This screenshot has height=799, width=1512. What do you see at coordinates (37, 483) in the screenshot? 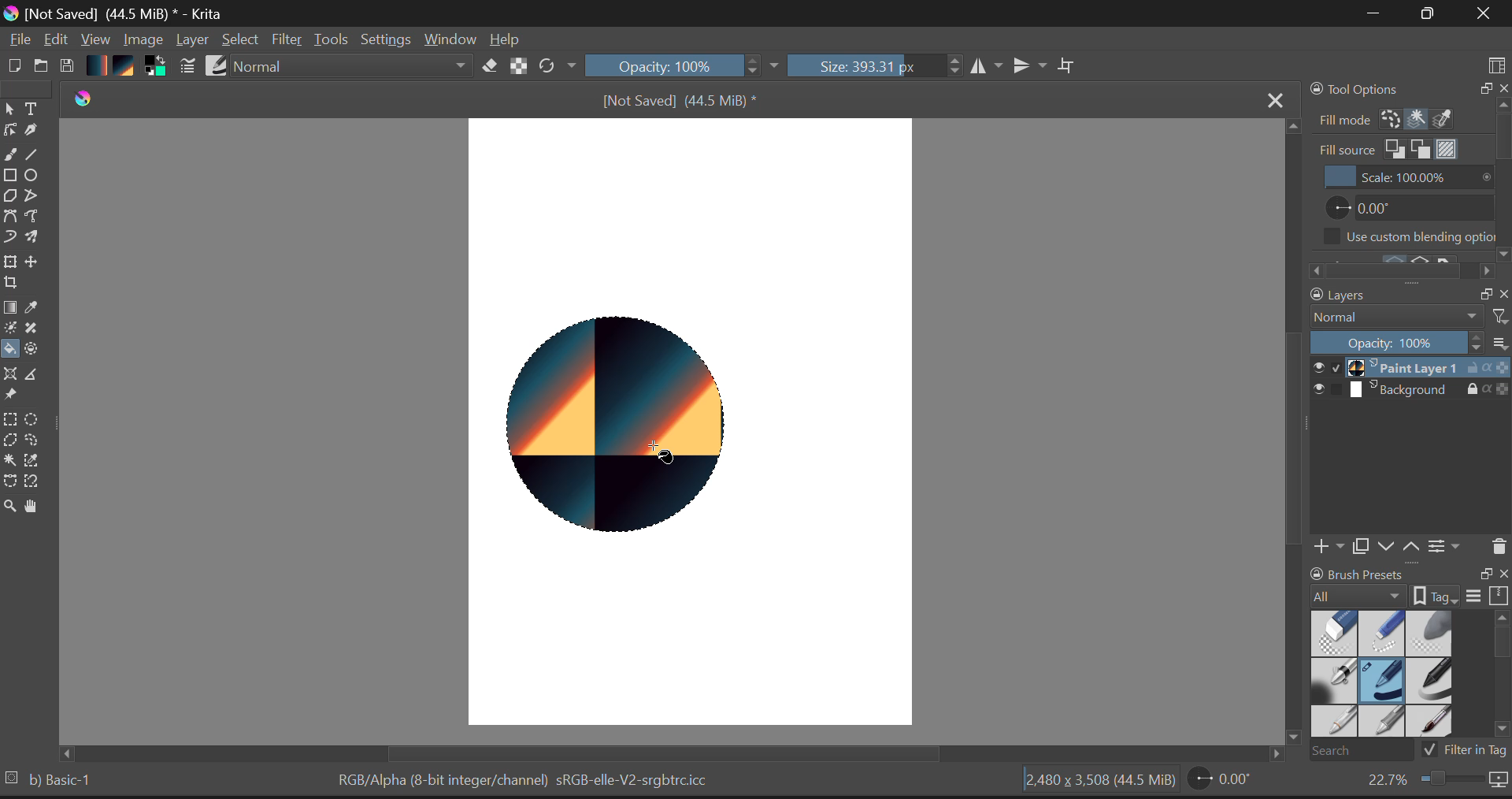
I see `Magnetic Selection` at bounding box center [37, 483].